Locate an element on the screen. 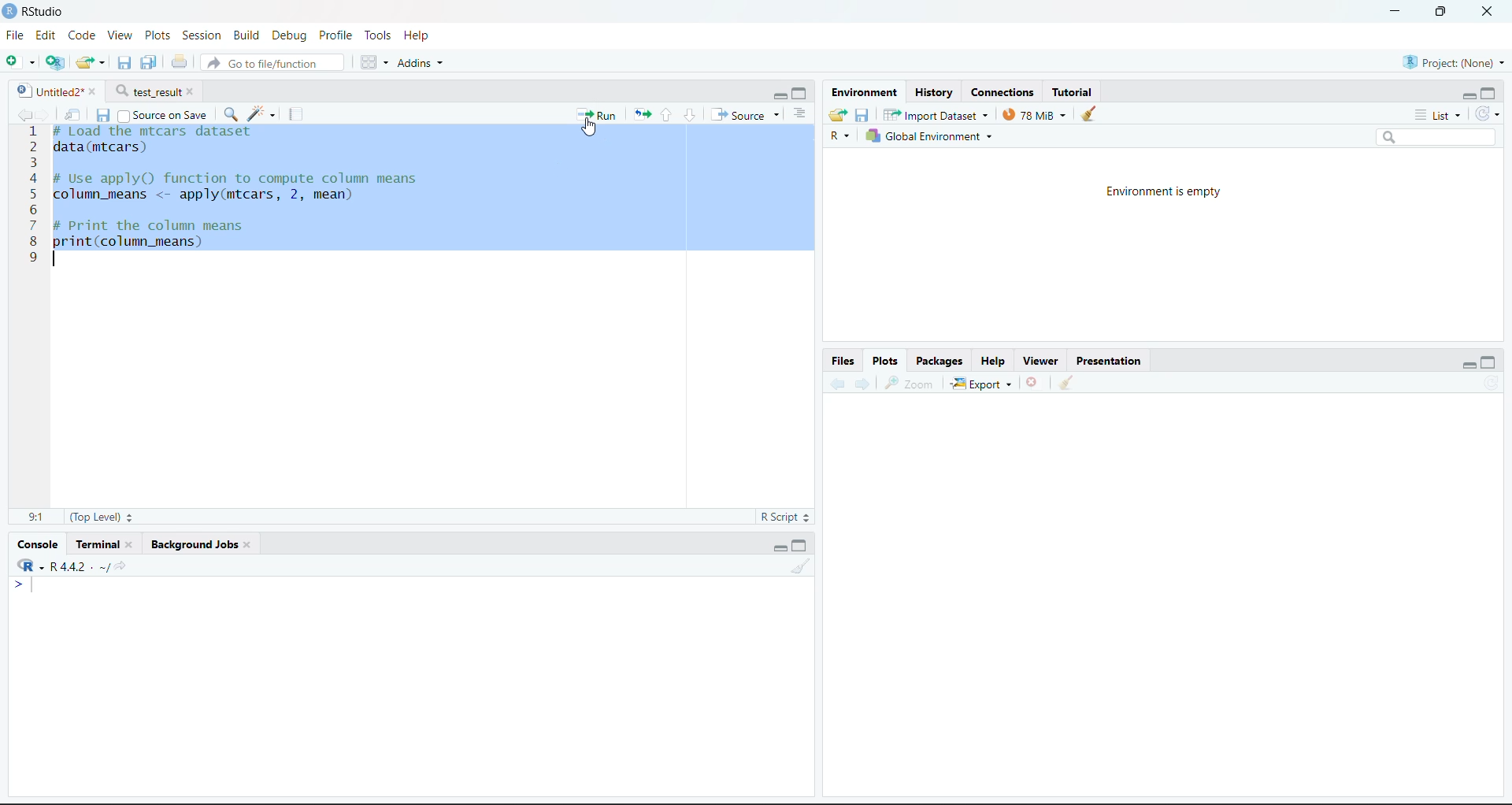 The image size is (1512, 805). List is located at coordinates (802, 113).